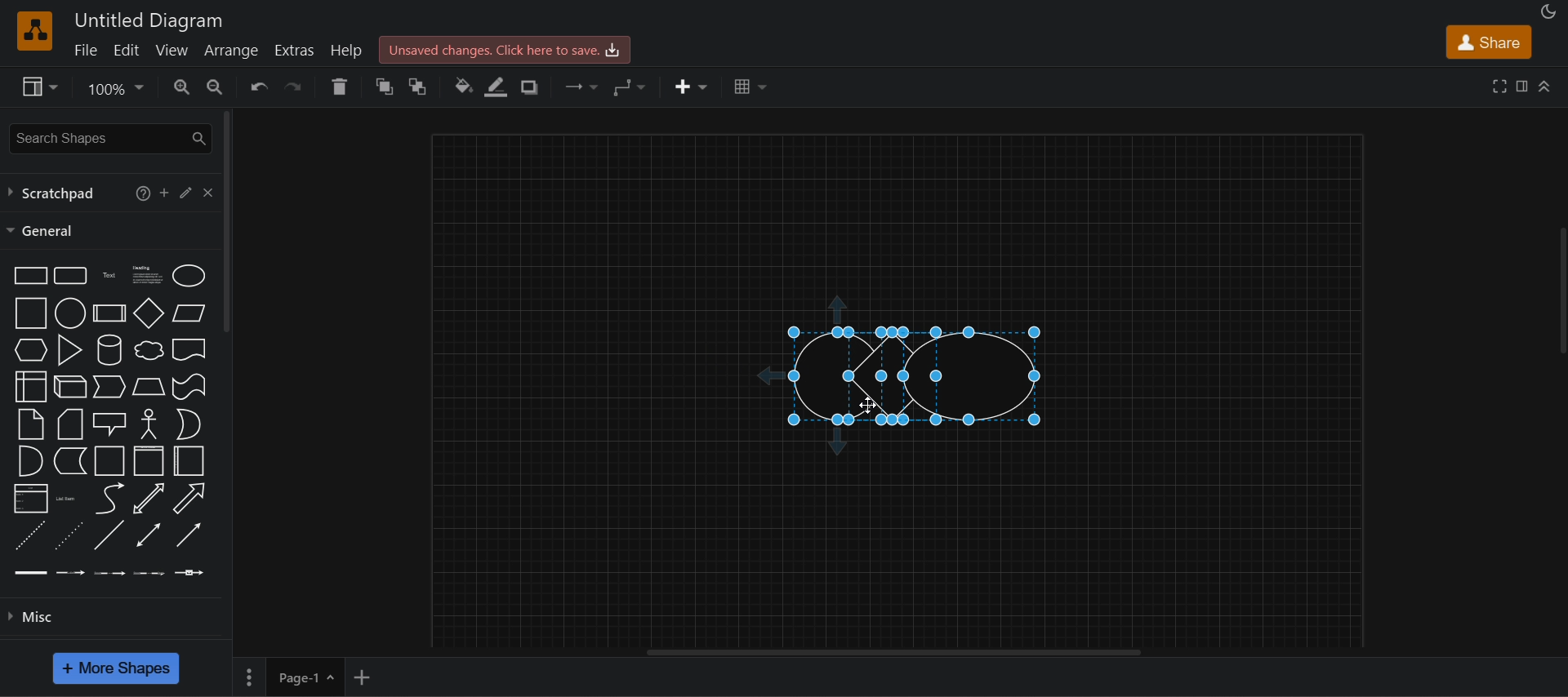 Image resolution: width=1568 pixels, height=697 pixels. I want to click on internal storage, so click(29, 387).